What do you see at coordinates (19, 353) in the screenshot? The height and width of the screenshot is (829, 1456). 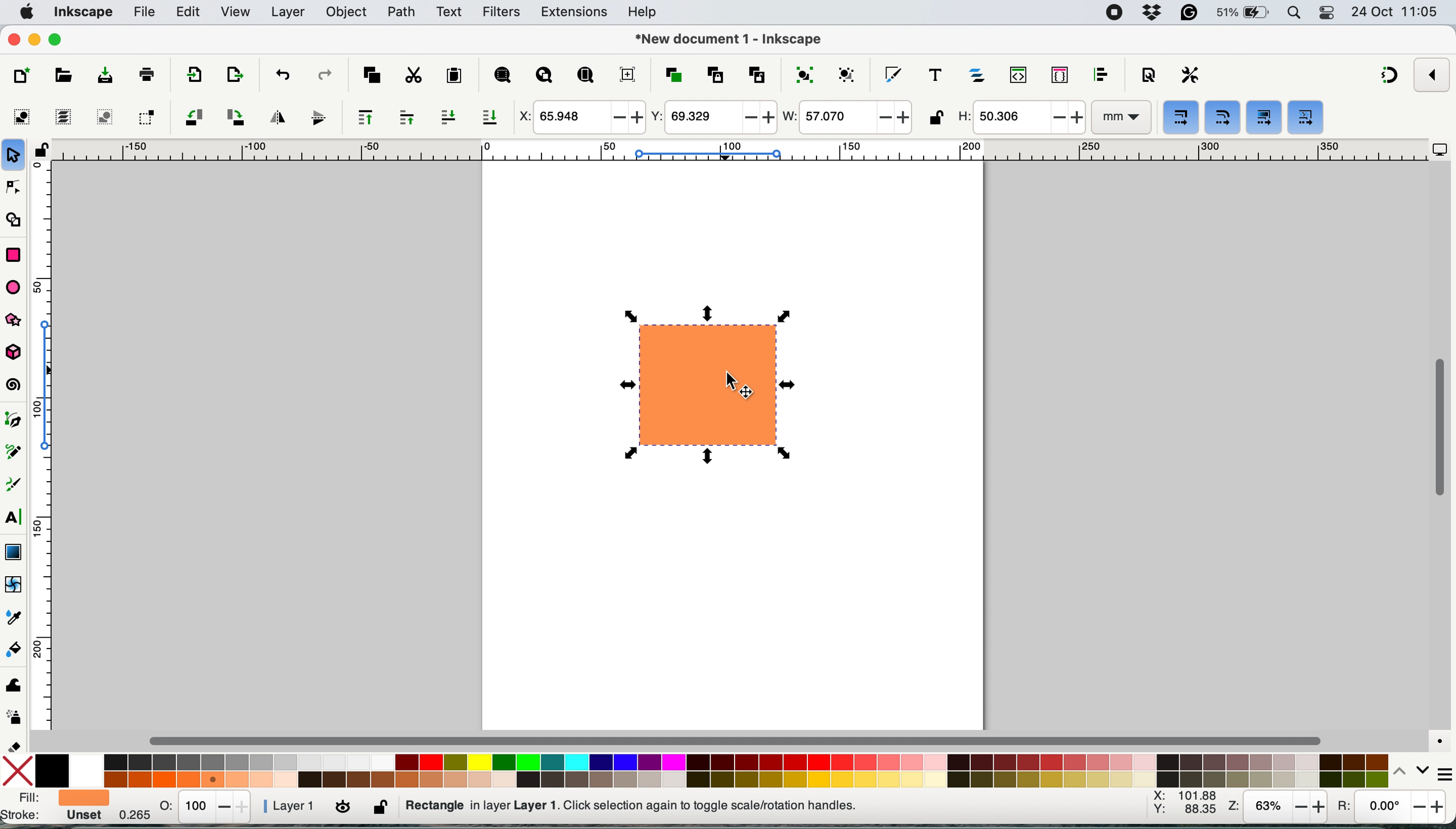 I see `3dbox tool` at bounding box center [19, 353].